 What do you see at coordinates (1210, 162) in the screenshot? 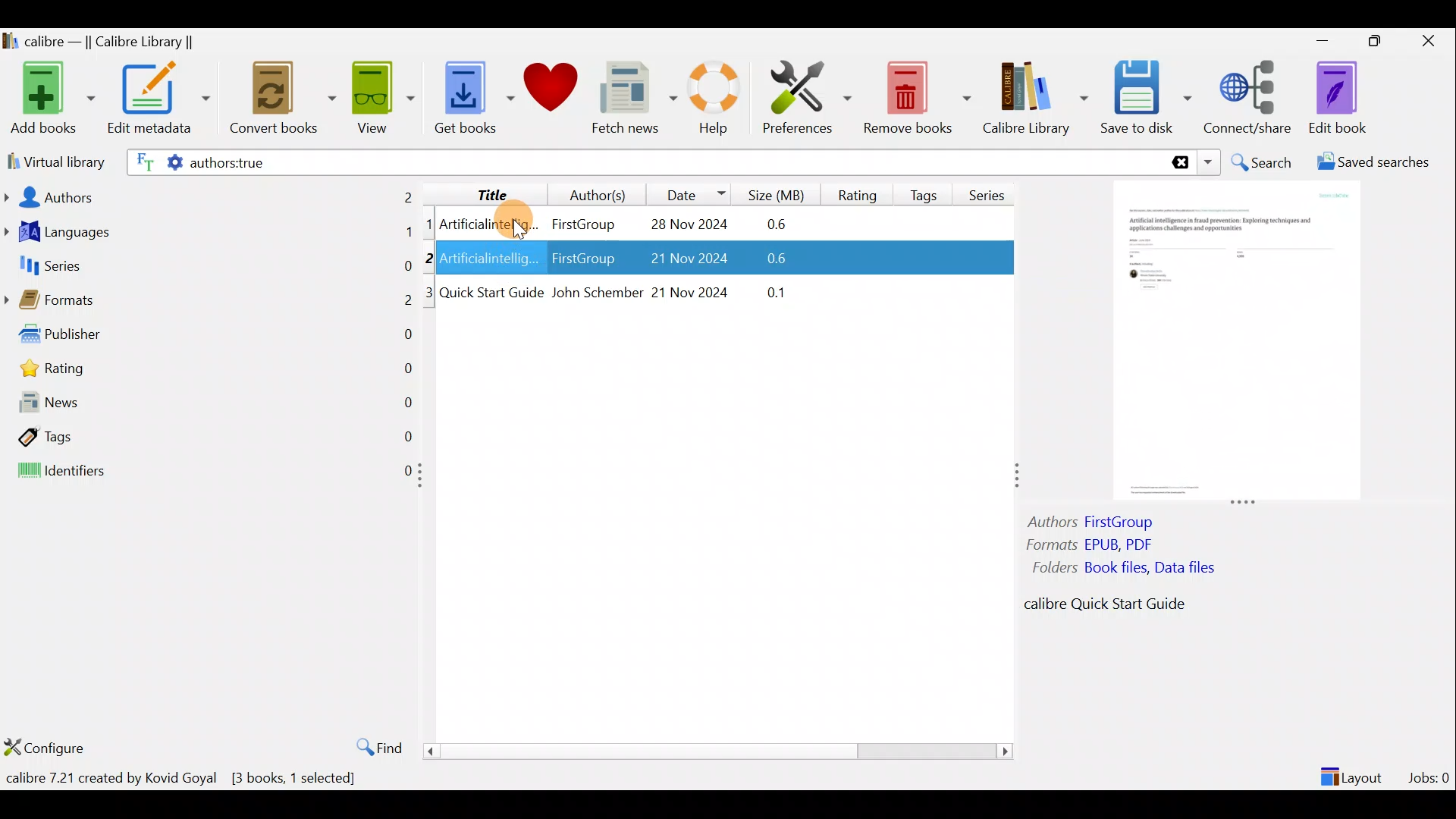
I see `Search dropdown` at bounding box center [1210, 162].